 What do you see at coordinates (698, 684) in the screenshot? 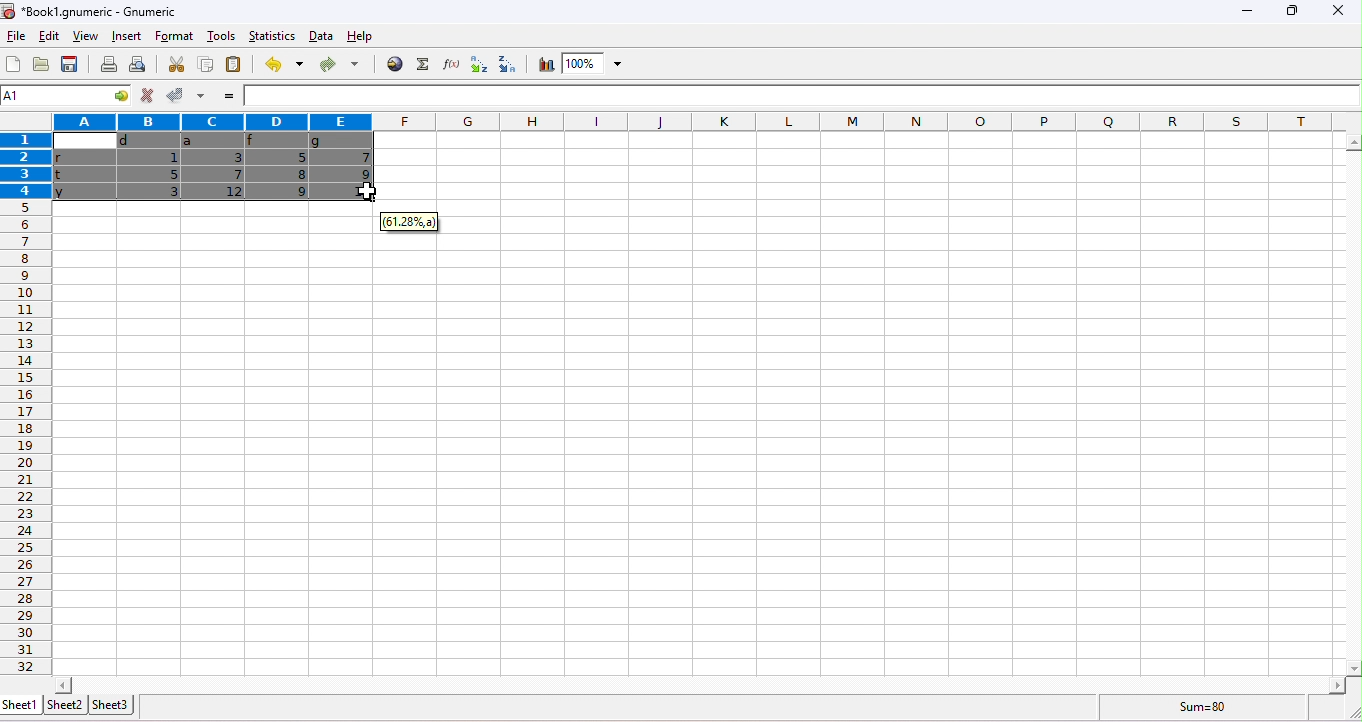
I see `horizontal slider` at bounding box center [698, 684].